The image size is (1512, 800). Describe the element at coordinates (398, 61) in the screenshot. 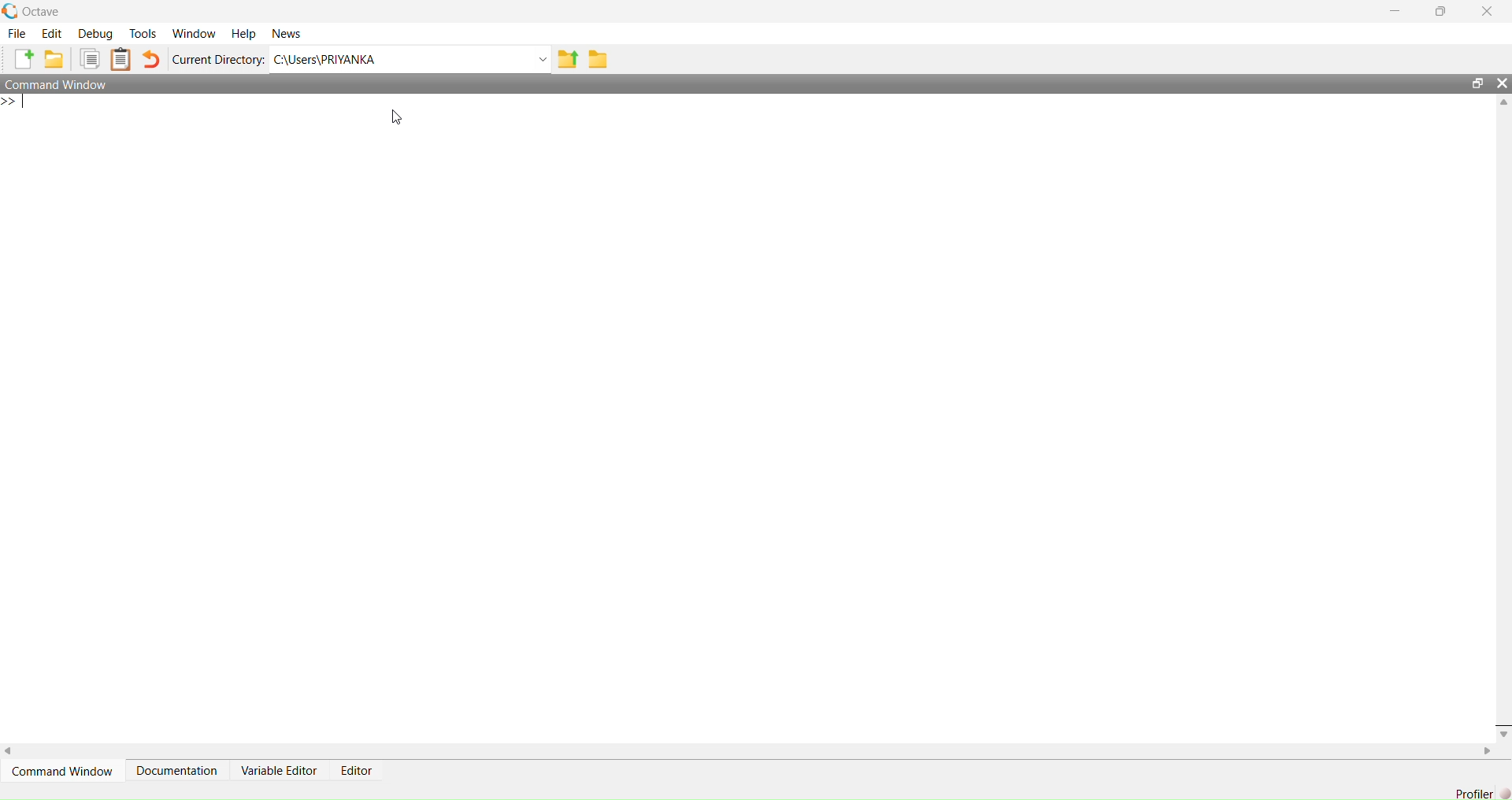

I see `C:/Users/PRIYANKA` at that location.